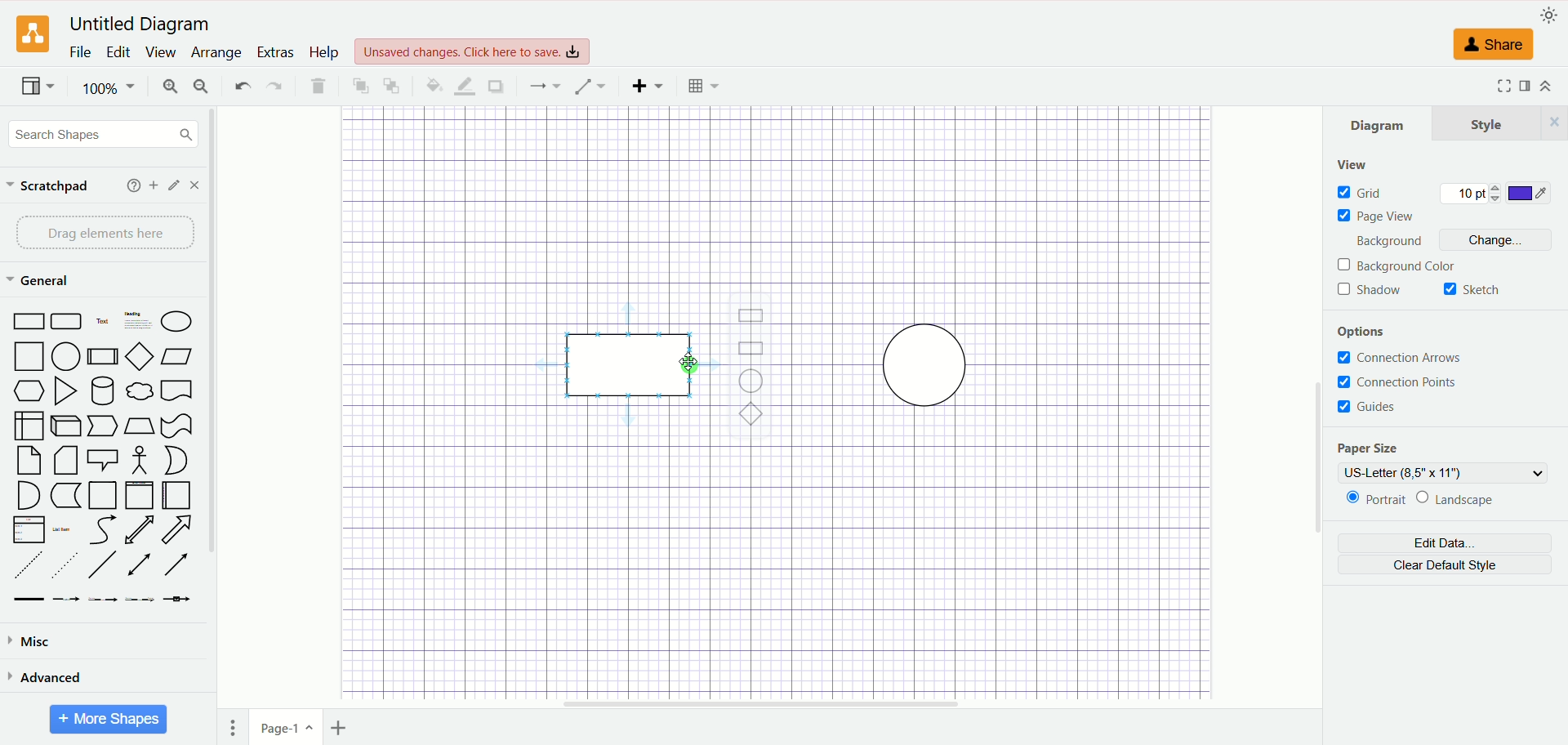  Describe the element at coordinates (140, 358) in the screenshot. I see `Diamond` at that location.